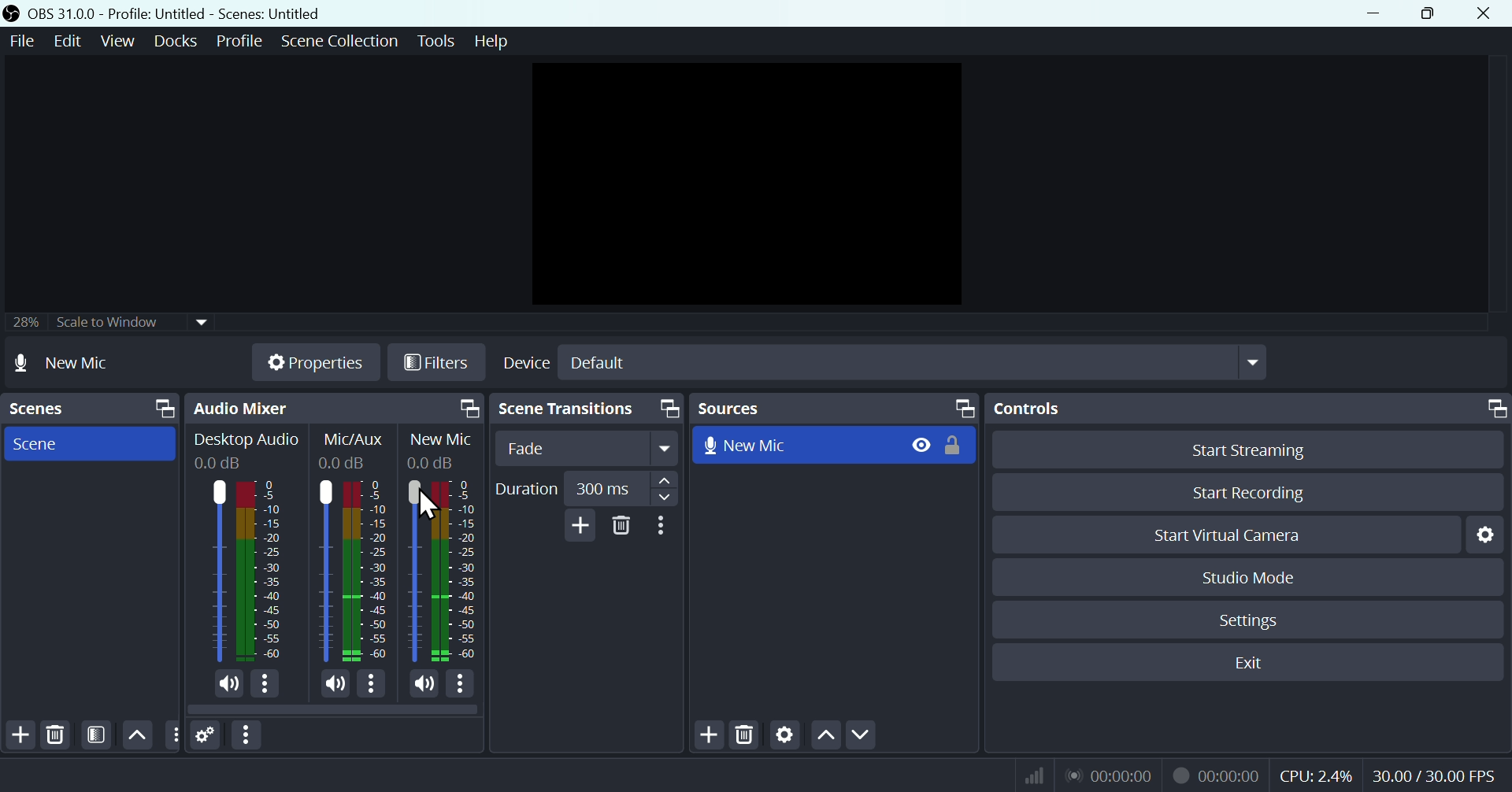  I want to click on Delete, so click(622, 526).